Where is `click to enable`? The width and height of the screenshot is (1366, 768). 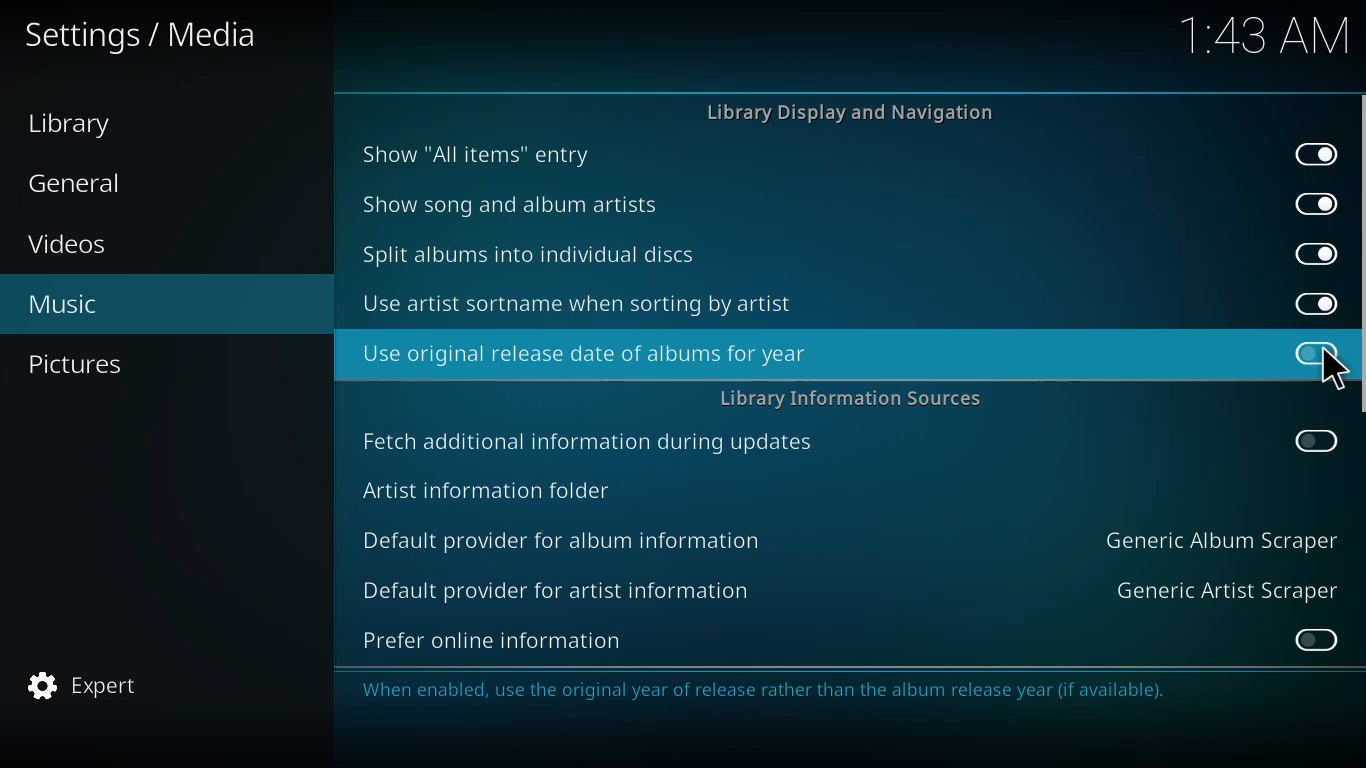 click to enable is located at coordinates (1313, 356).